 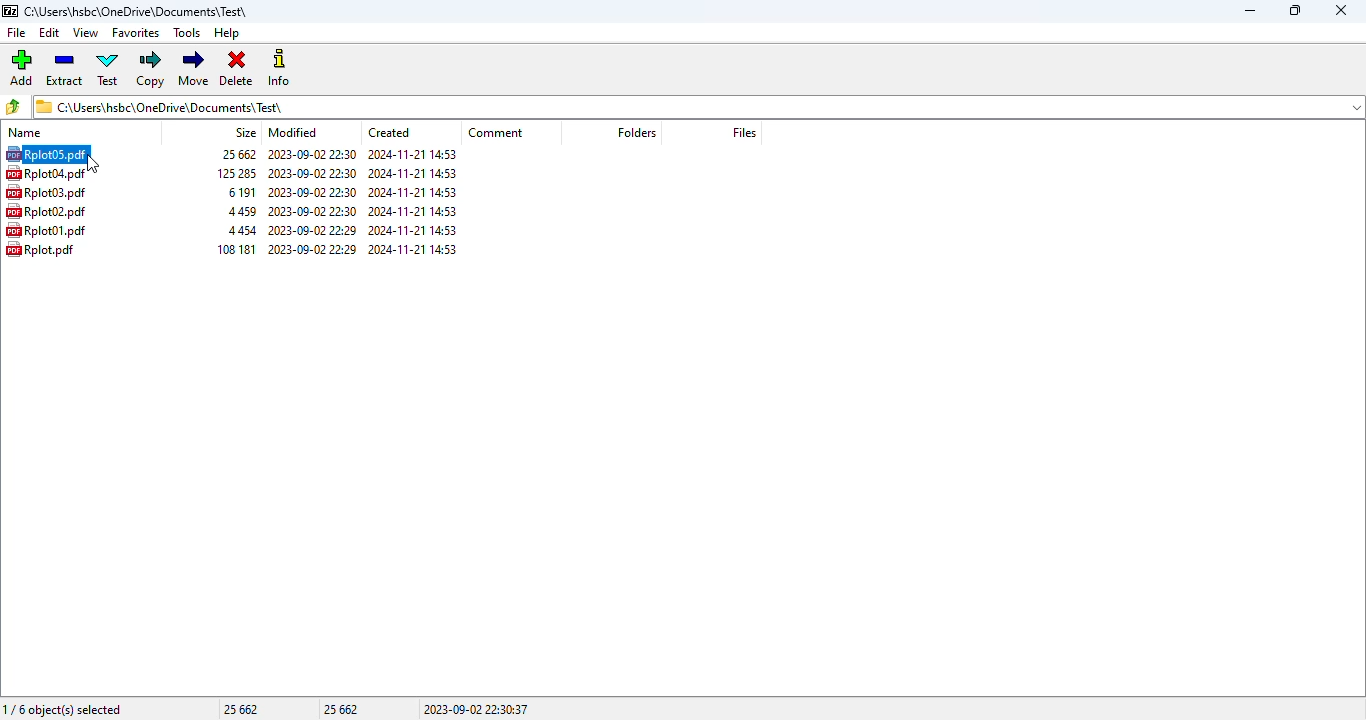 What do you see at coordinates (25, 132) in the screenshot?
I see `name` at bounding box center [25, 132].